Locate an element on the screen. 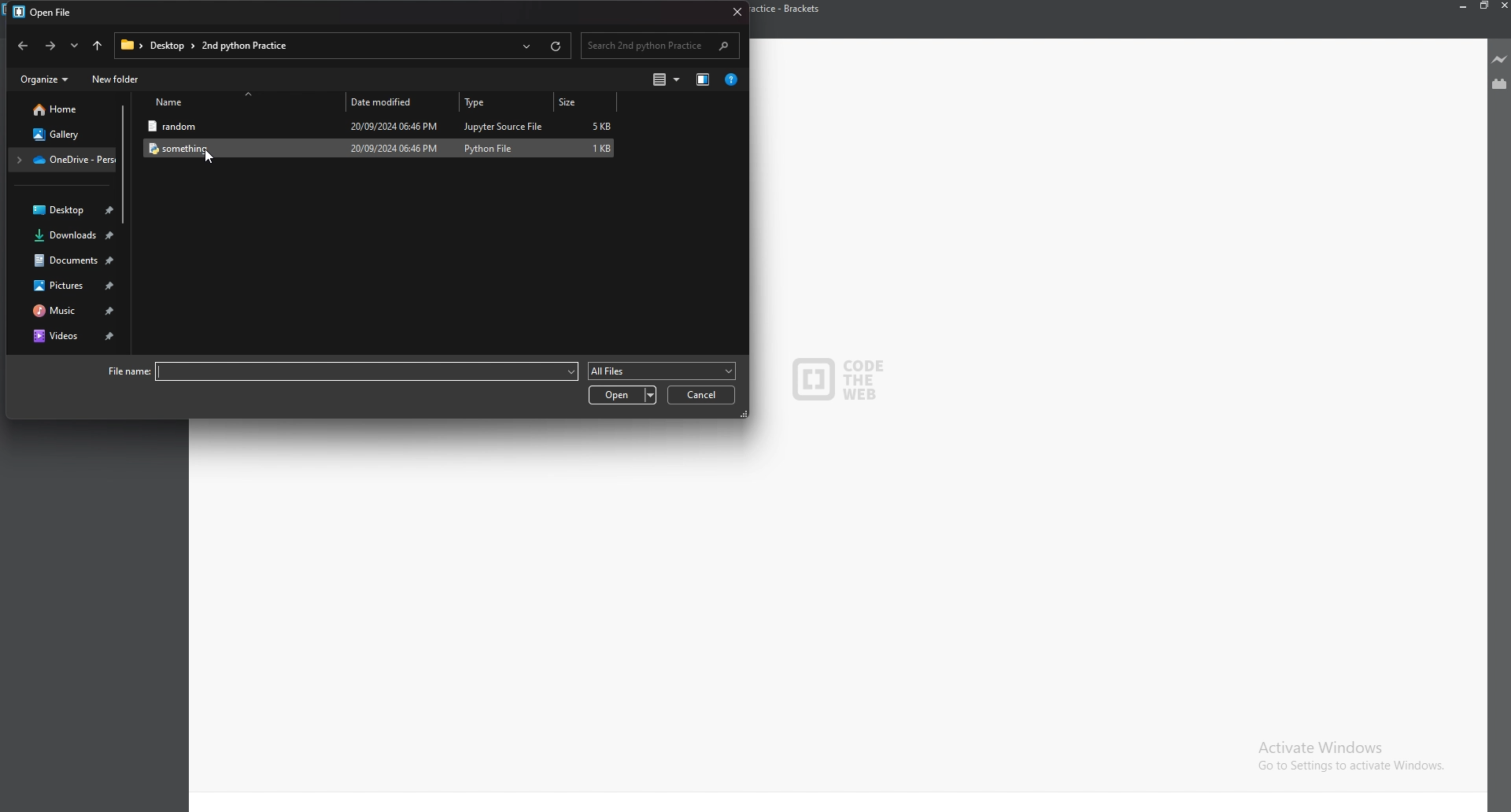 The image size is (1511, 812). change view is located at coordinates (703, 81).